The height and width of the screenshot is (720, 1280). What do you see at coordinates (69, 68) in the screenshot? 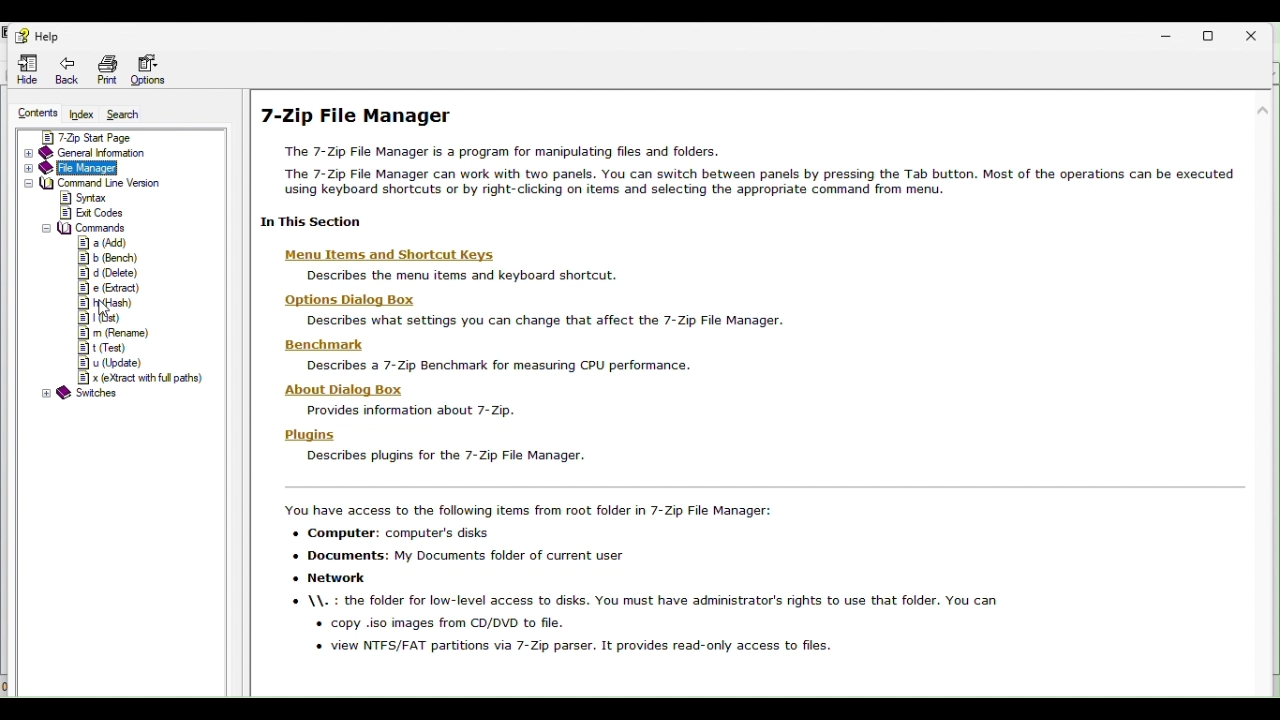
I see `Back ` at bounding box center [69, 68].